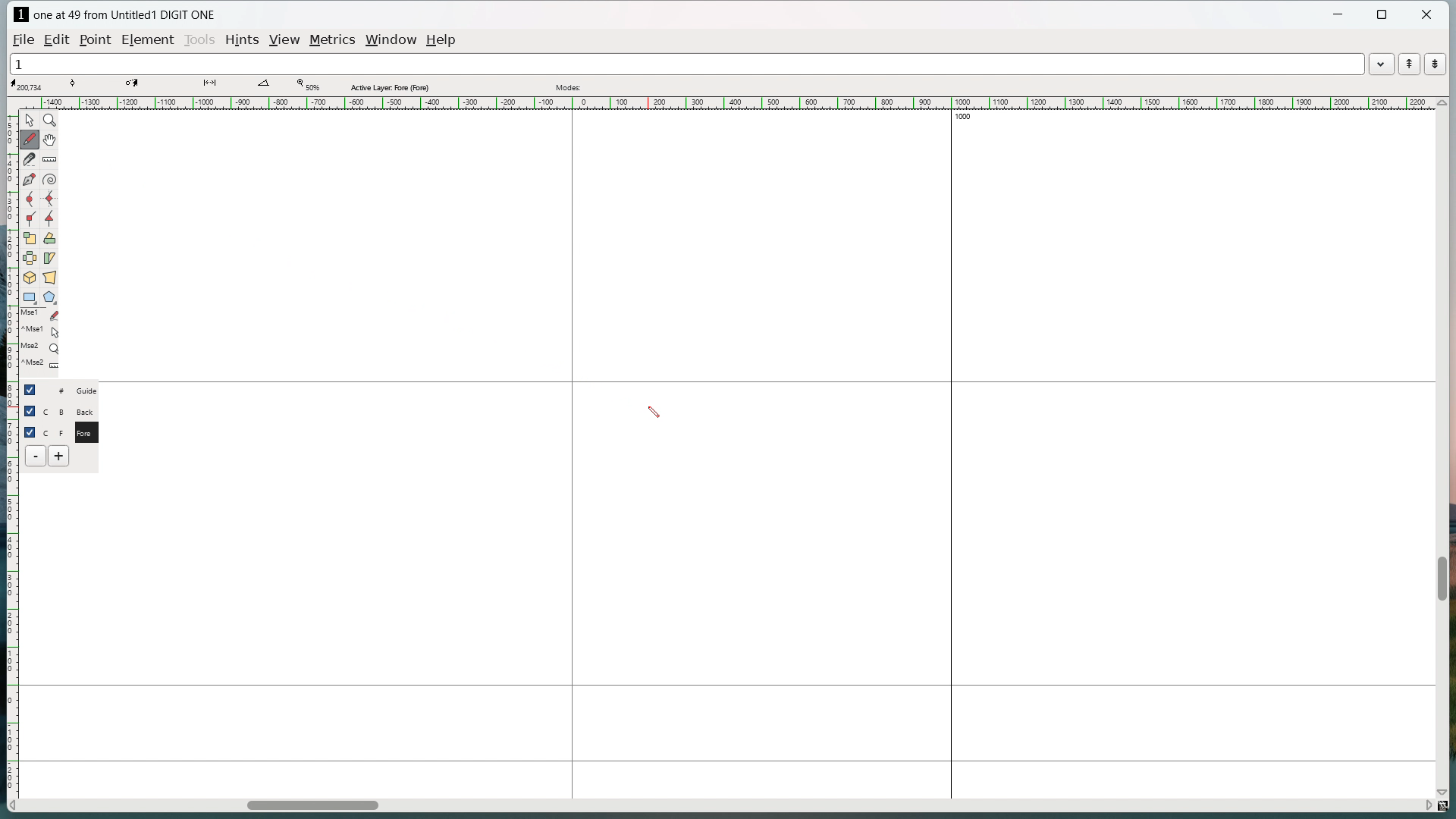 The height and width of the screenshot is (819, 1456). I want to click on cursor coordinate, so click(31, 85).